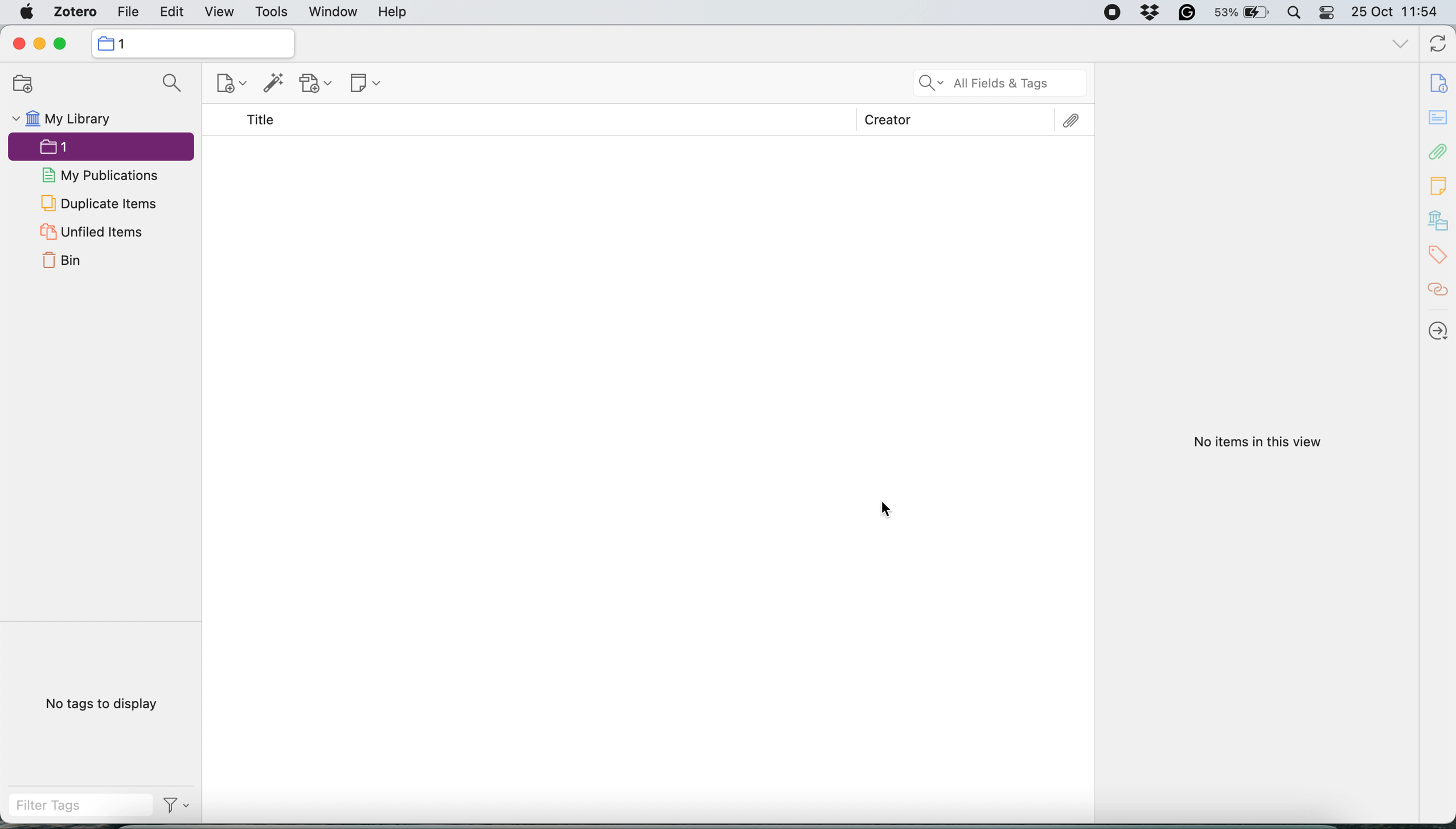  Describe the element at coordinates (214, 12) in the screenshot. I see `view` at that location.